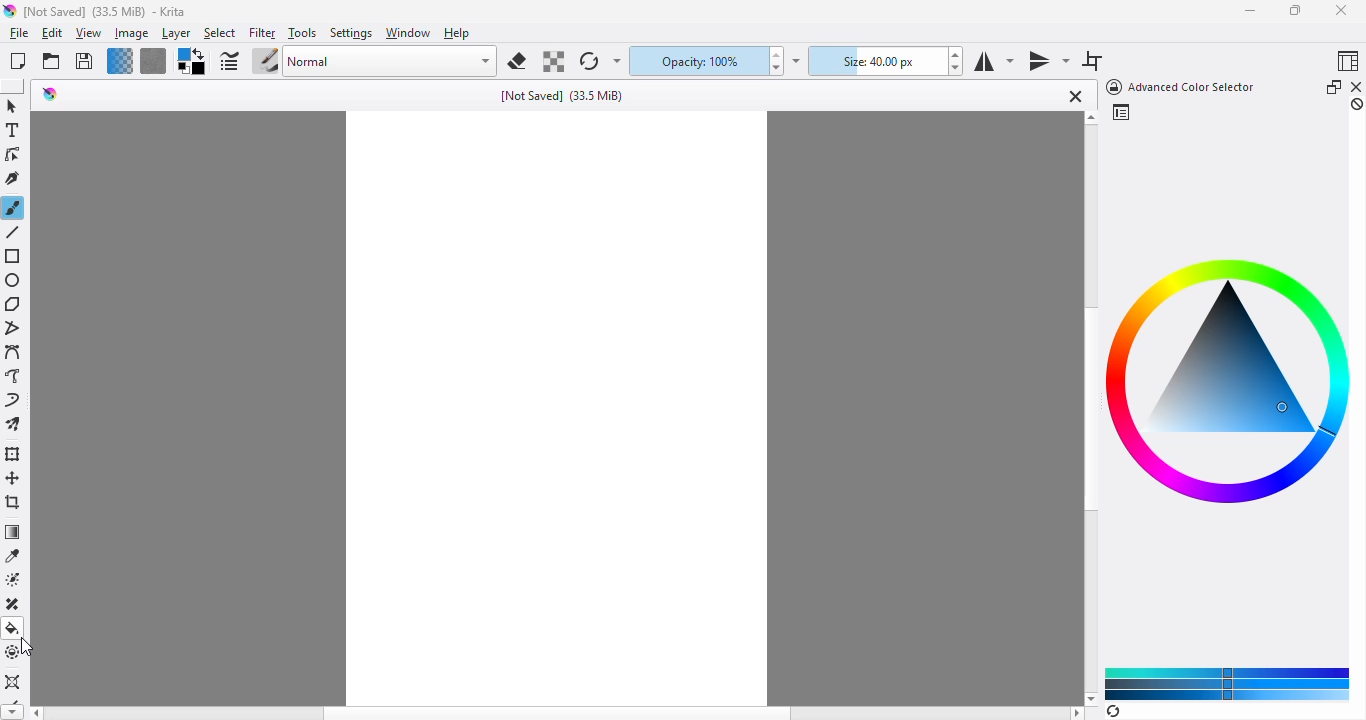 Image resolution: width=1366 pixels, height=720 pixels. Describe the element at coordinates (50, 94) in the screenshot. I see `logo` at that location.